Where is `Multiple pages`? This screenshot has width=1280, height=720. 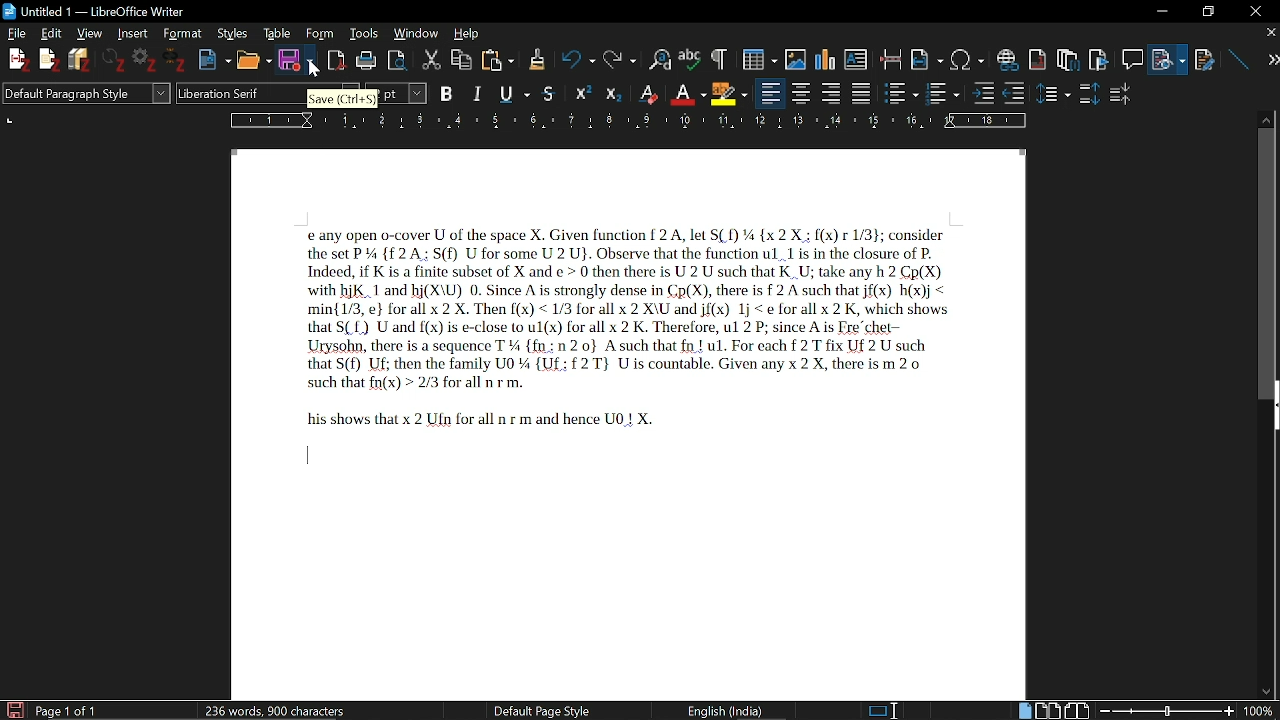
Multiple pages is located at coordinates (1051, 709).